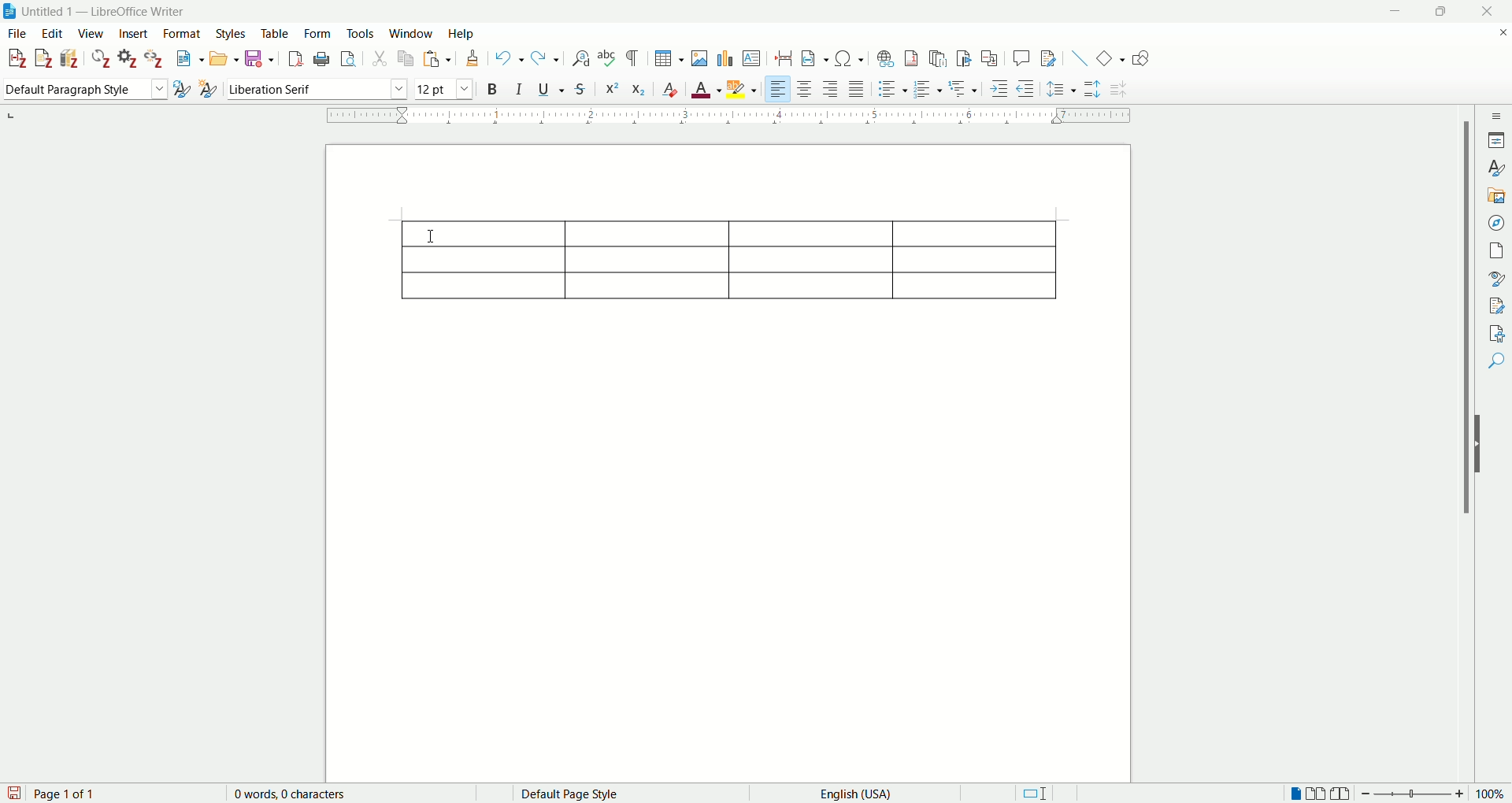 This screenshot has width=1512, height=803. Describe the element at coordinates (784, 59) in the screenshot. I see `insert page break` at that location.